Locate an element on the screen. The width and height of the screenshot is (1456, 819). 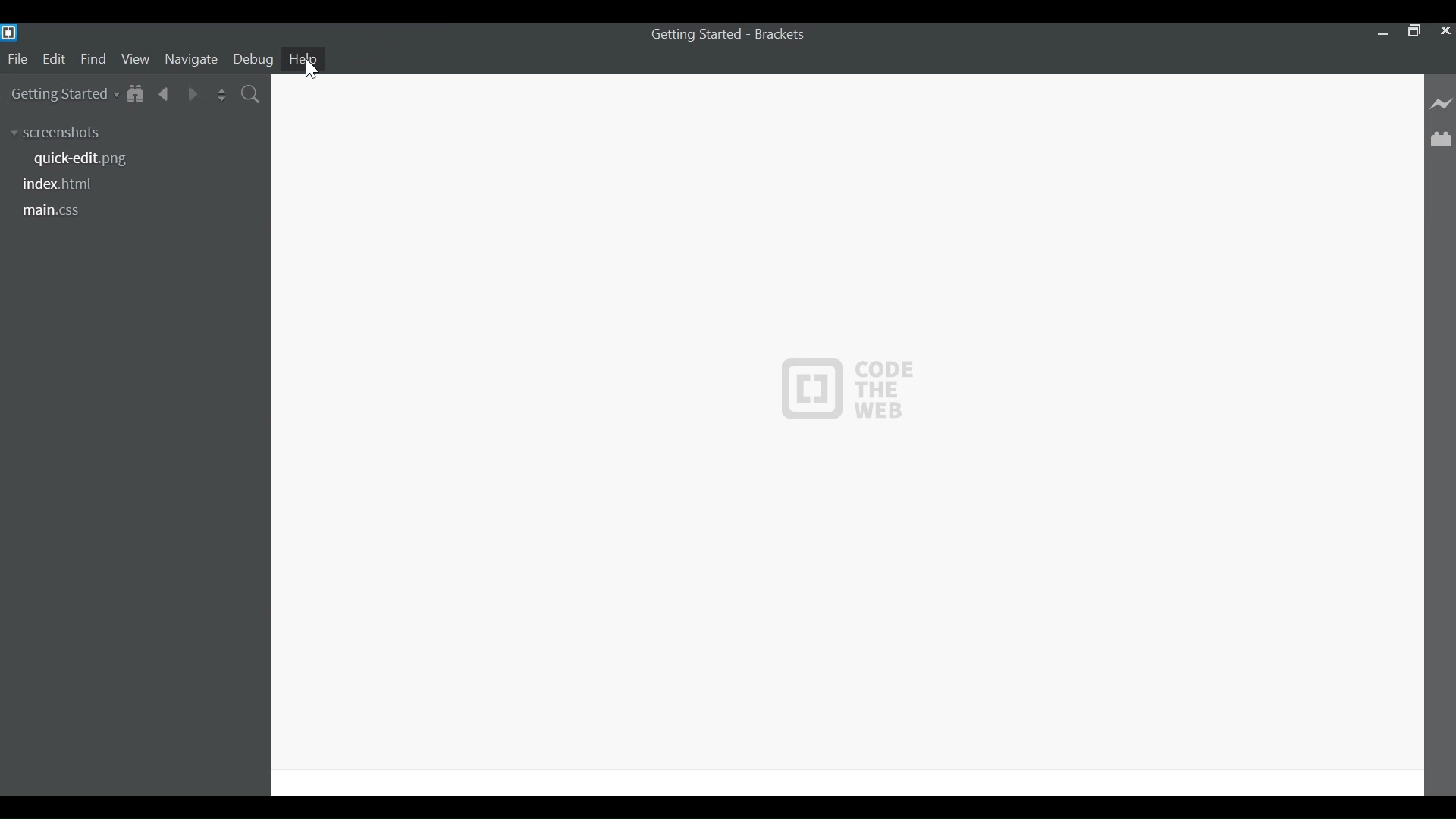
 main css File is located at coordinates (63, 209).